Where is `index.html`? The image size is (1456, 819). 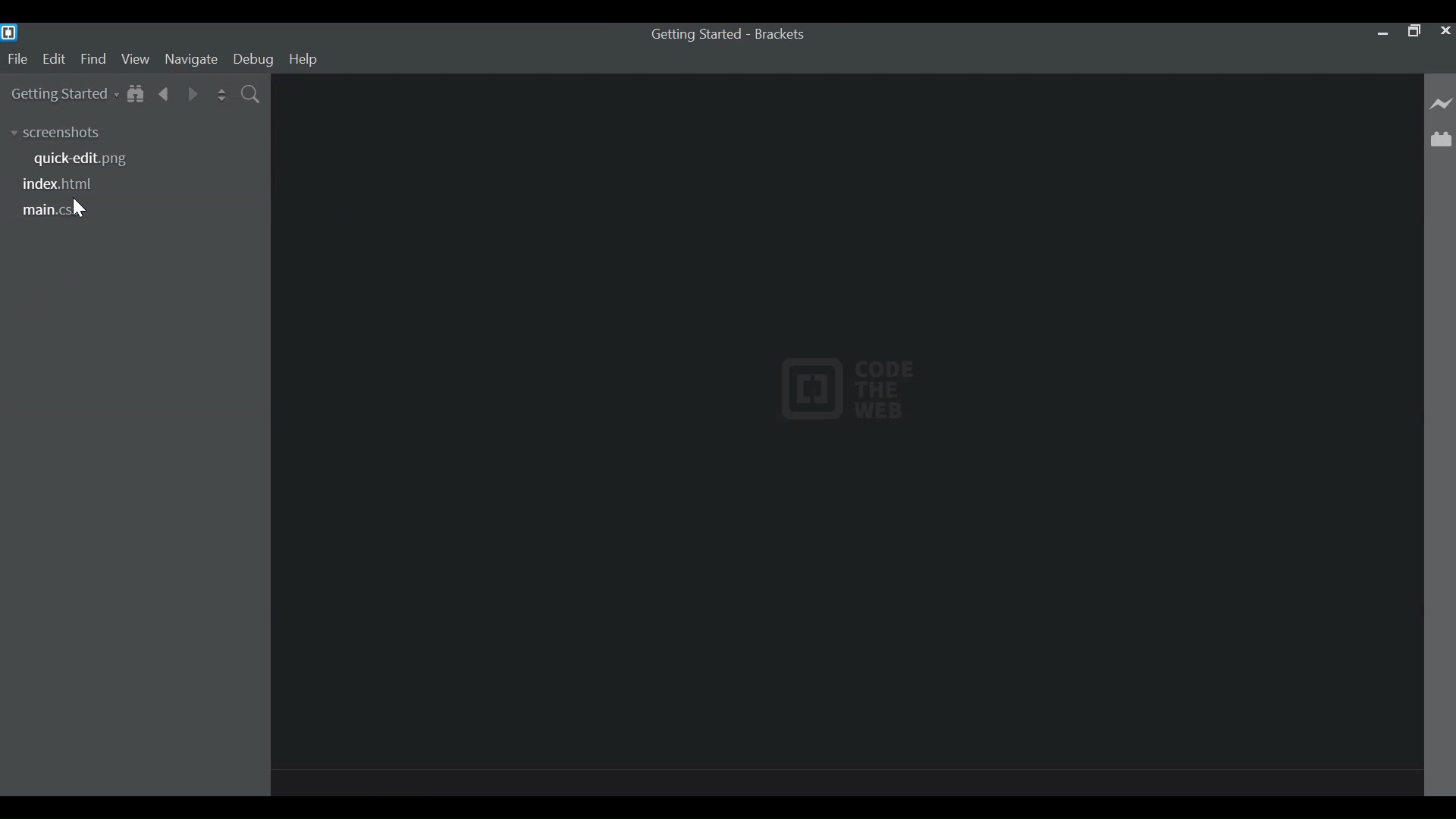 index.html is located at coordinates (695, 33).